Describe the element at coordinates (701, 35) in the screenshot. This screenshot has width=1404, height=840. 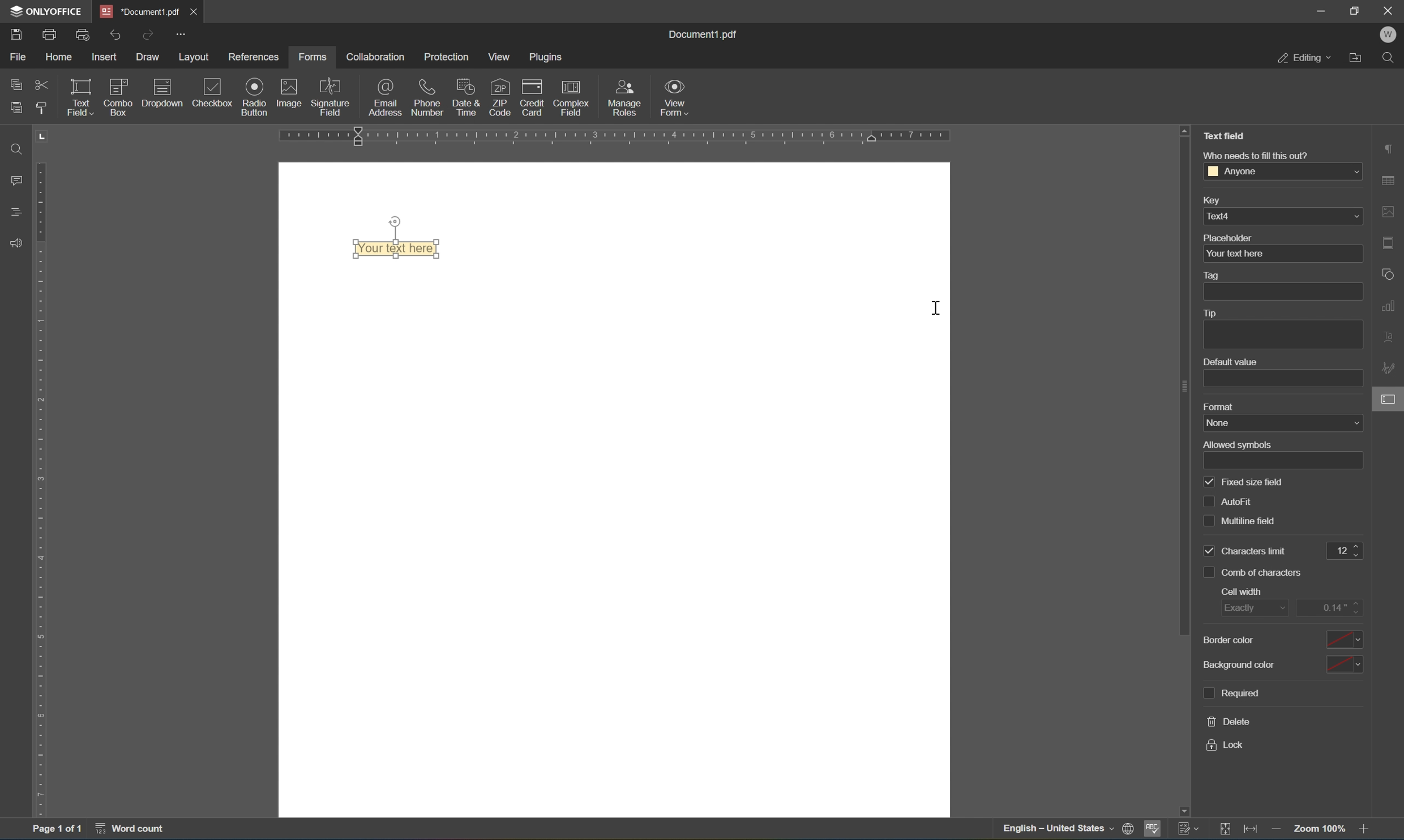
I see `document1.pdf` at that location.